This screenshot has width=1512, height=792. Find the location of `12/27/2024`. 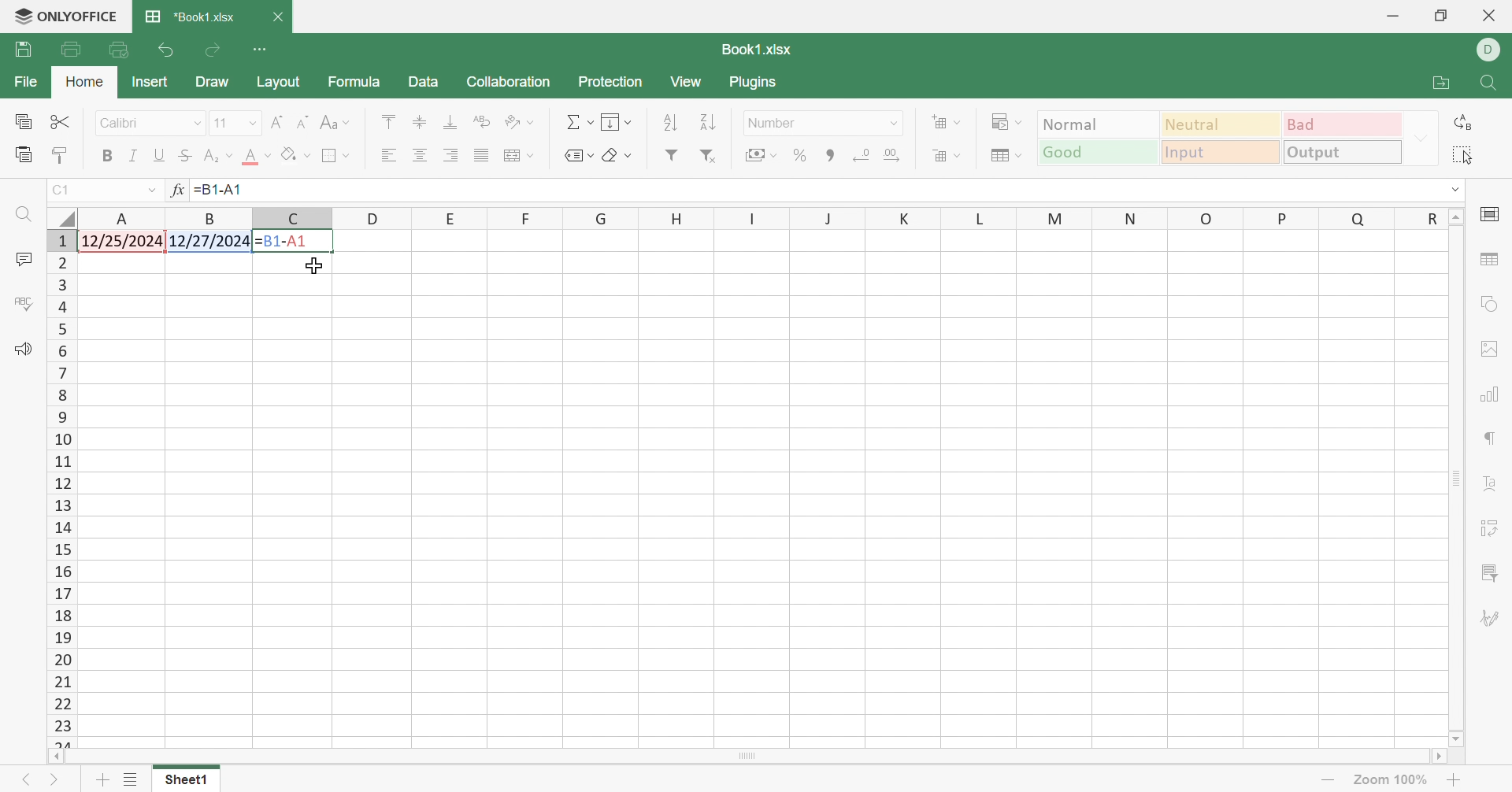

12/27/2024 is located at coordinates (210, 242).